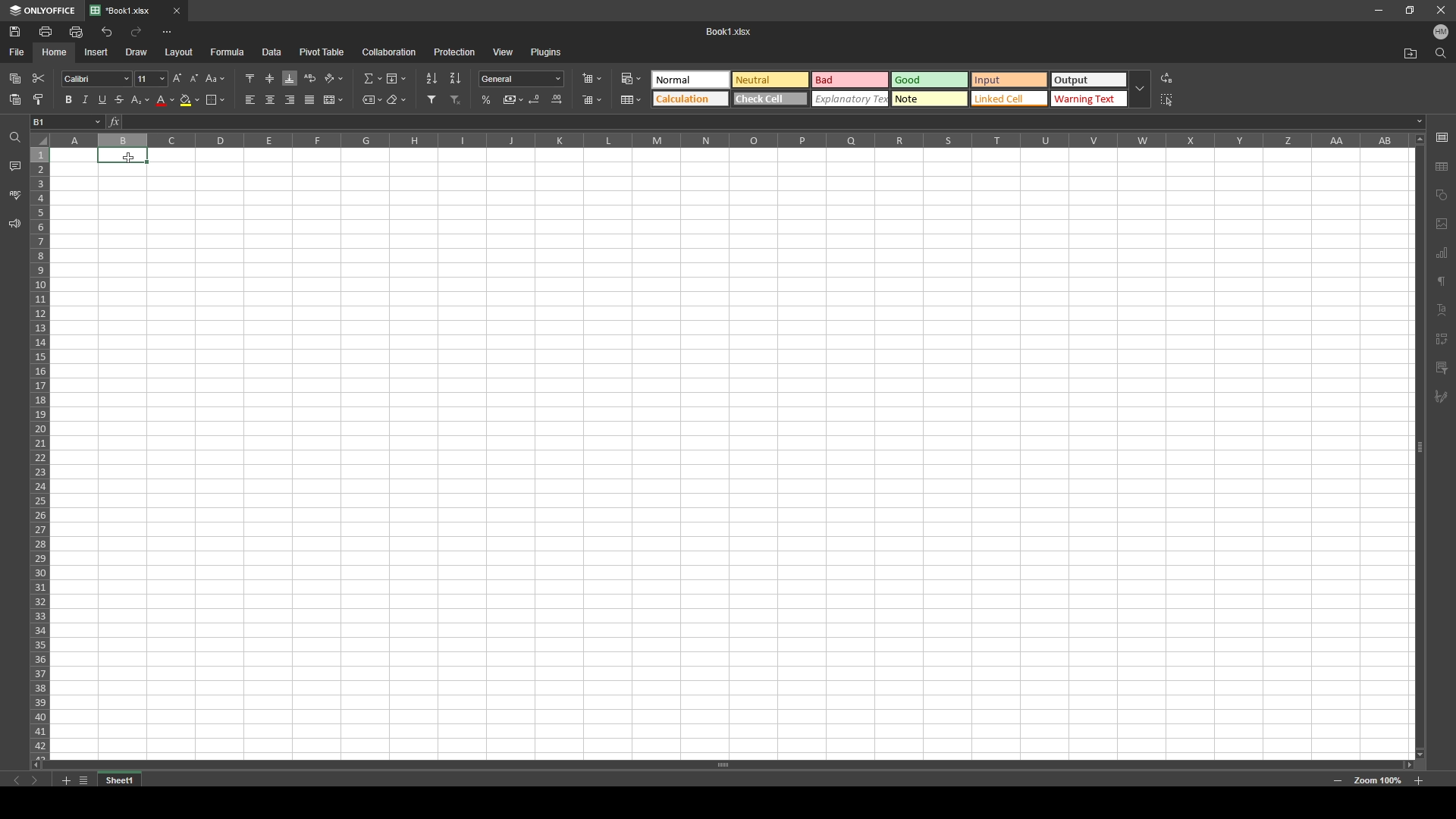 The height and width of the screenshot is (819, 1456). I want to click on sort descending, so click(455, 78).